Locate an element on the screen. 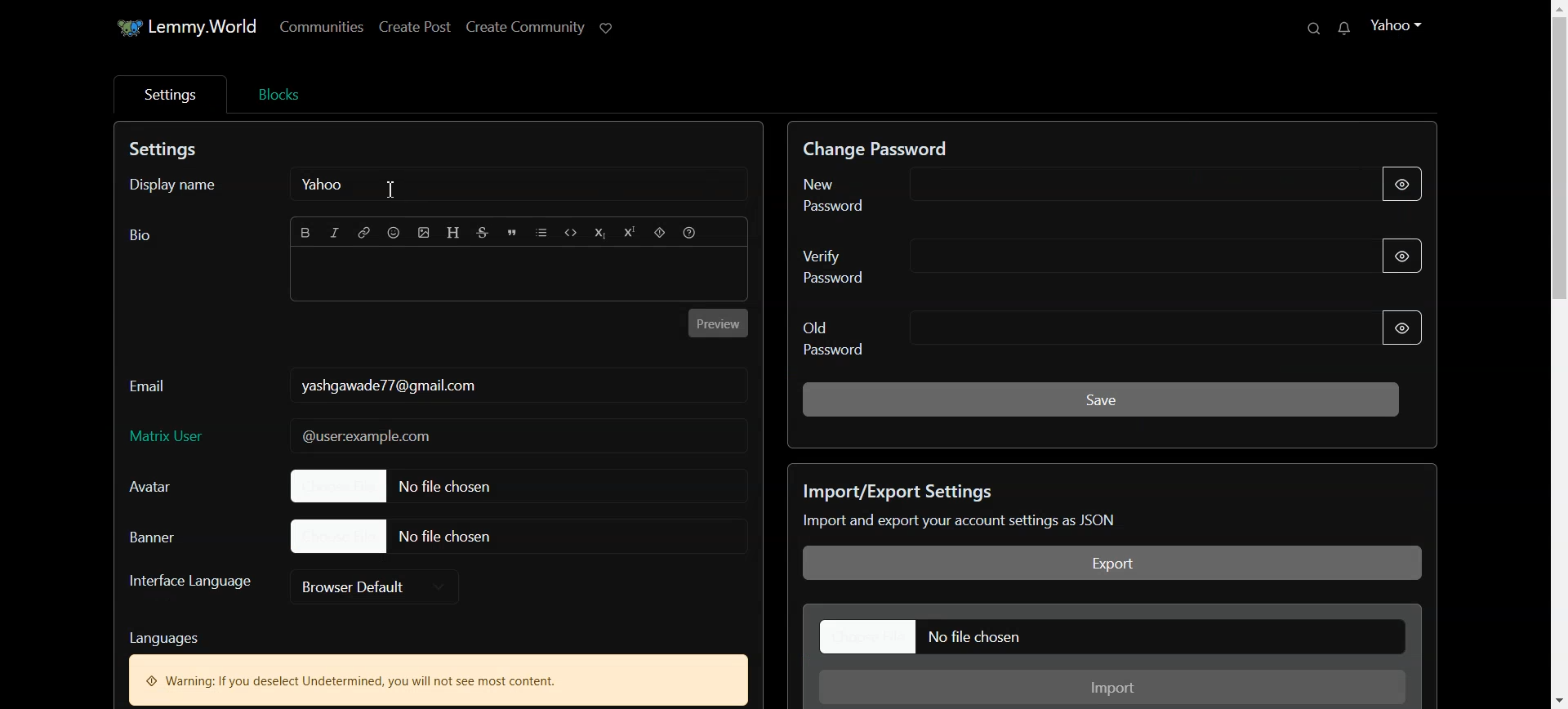 The width and height of the screenshot is (1568, 709). Settings is located at coordinates (168, 94).